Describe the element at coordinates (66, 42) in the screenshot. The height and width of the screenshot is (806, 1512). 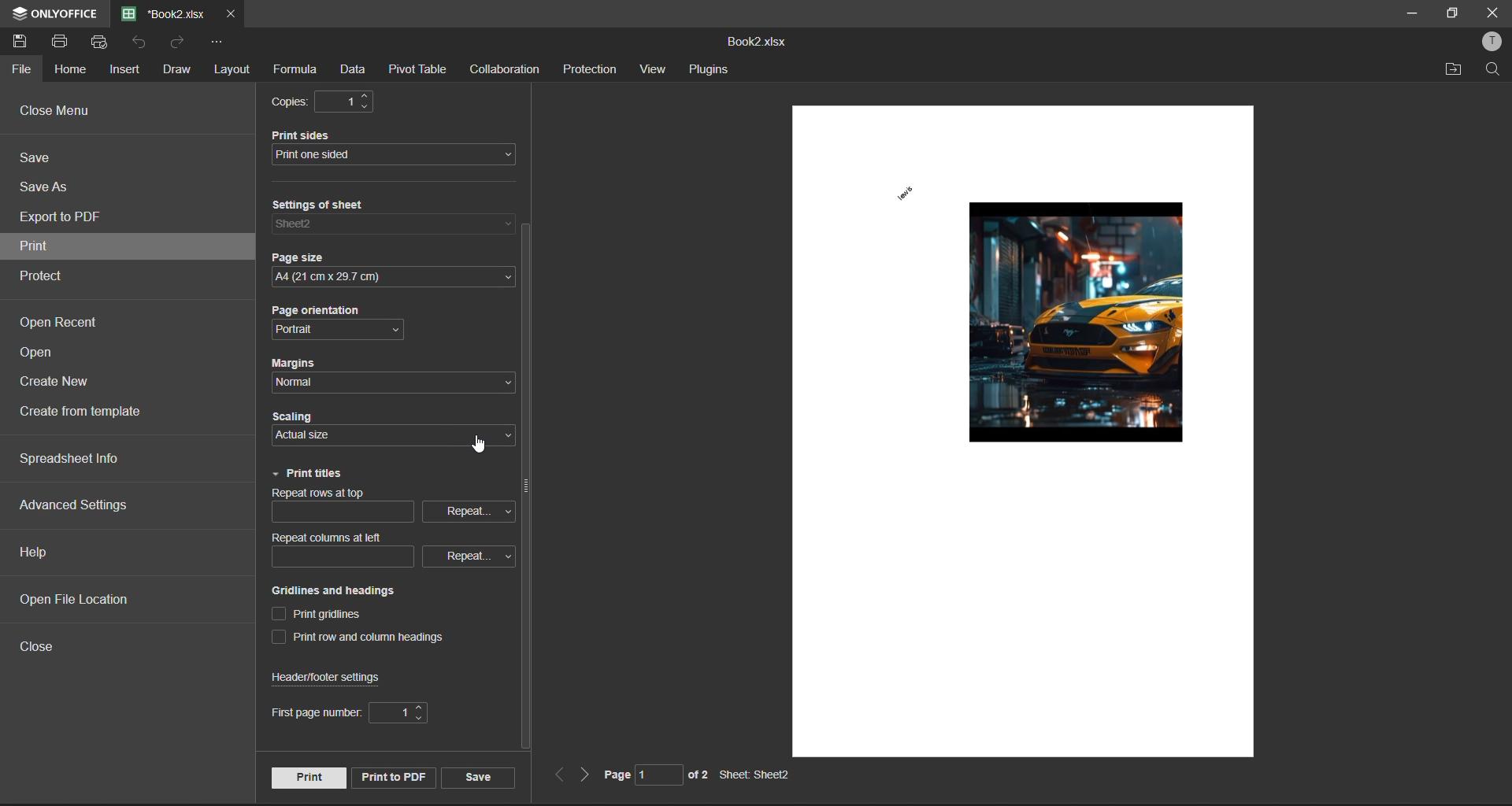
I see `print` at that location.